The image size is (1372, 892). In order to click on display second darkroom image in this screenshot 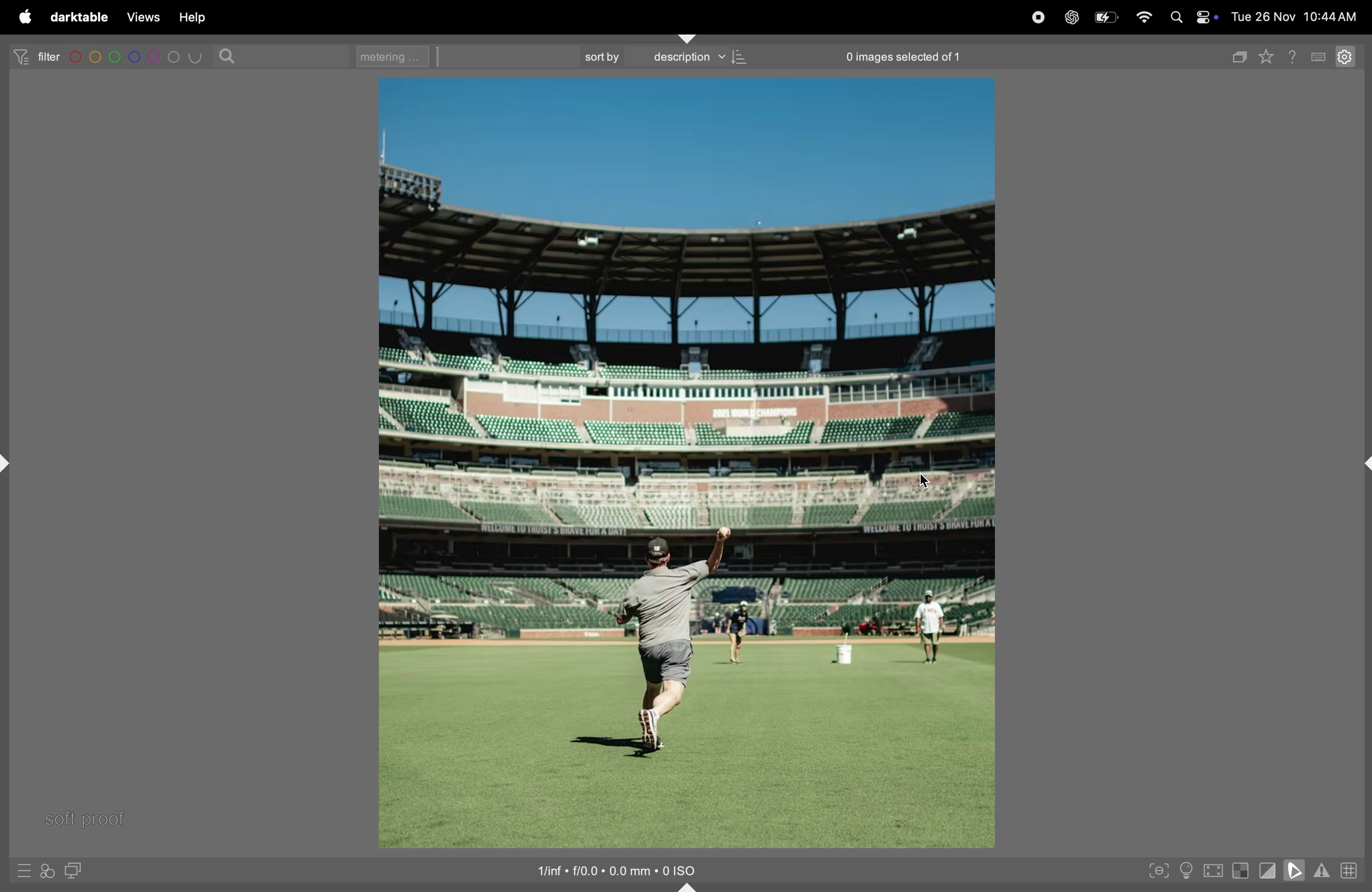, I will do `click(77, 872)`.